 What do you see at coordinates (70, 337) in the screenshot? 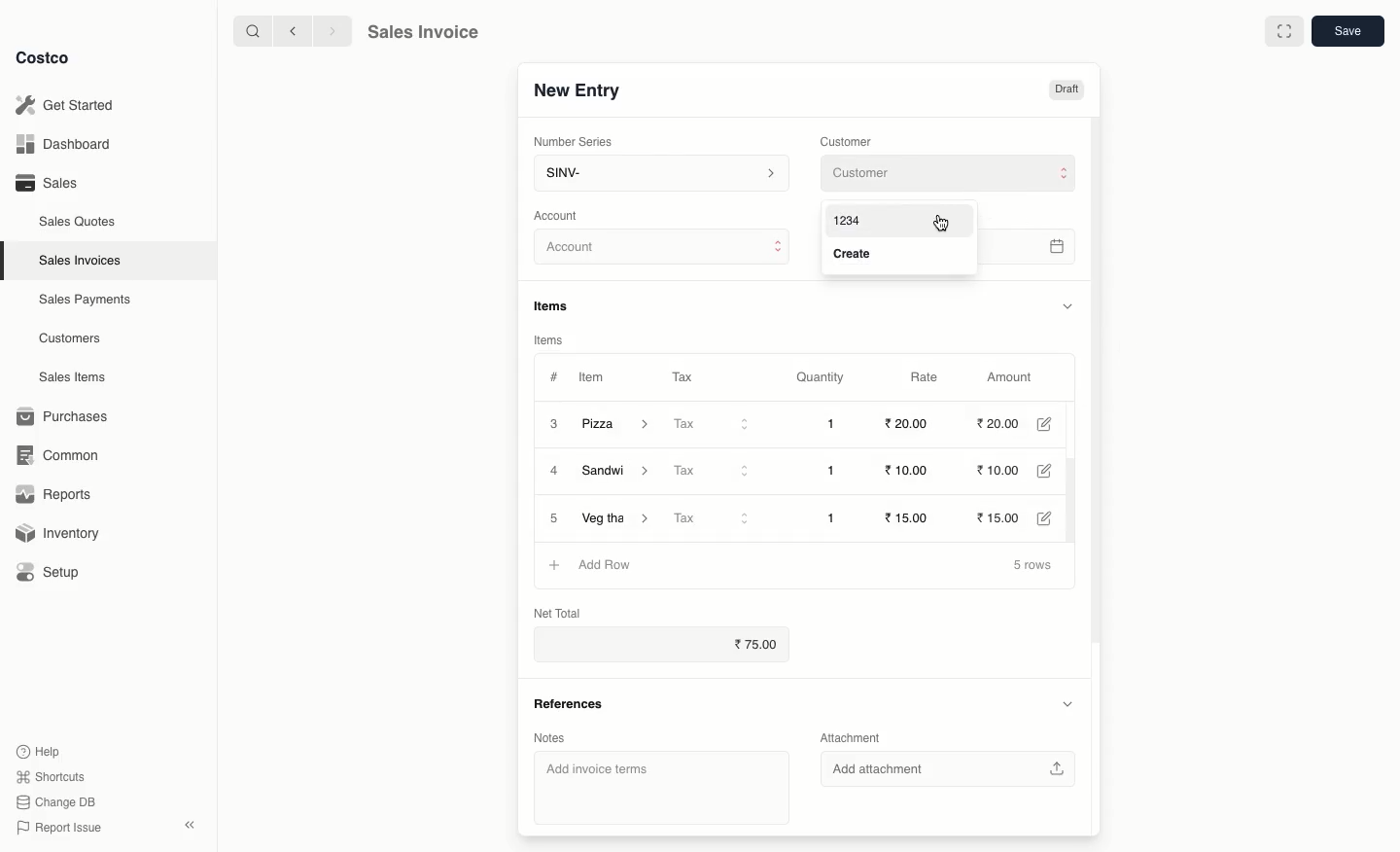
I see `Customers` at bounding box center [70, 337].